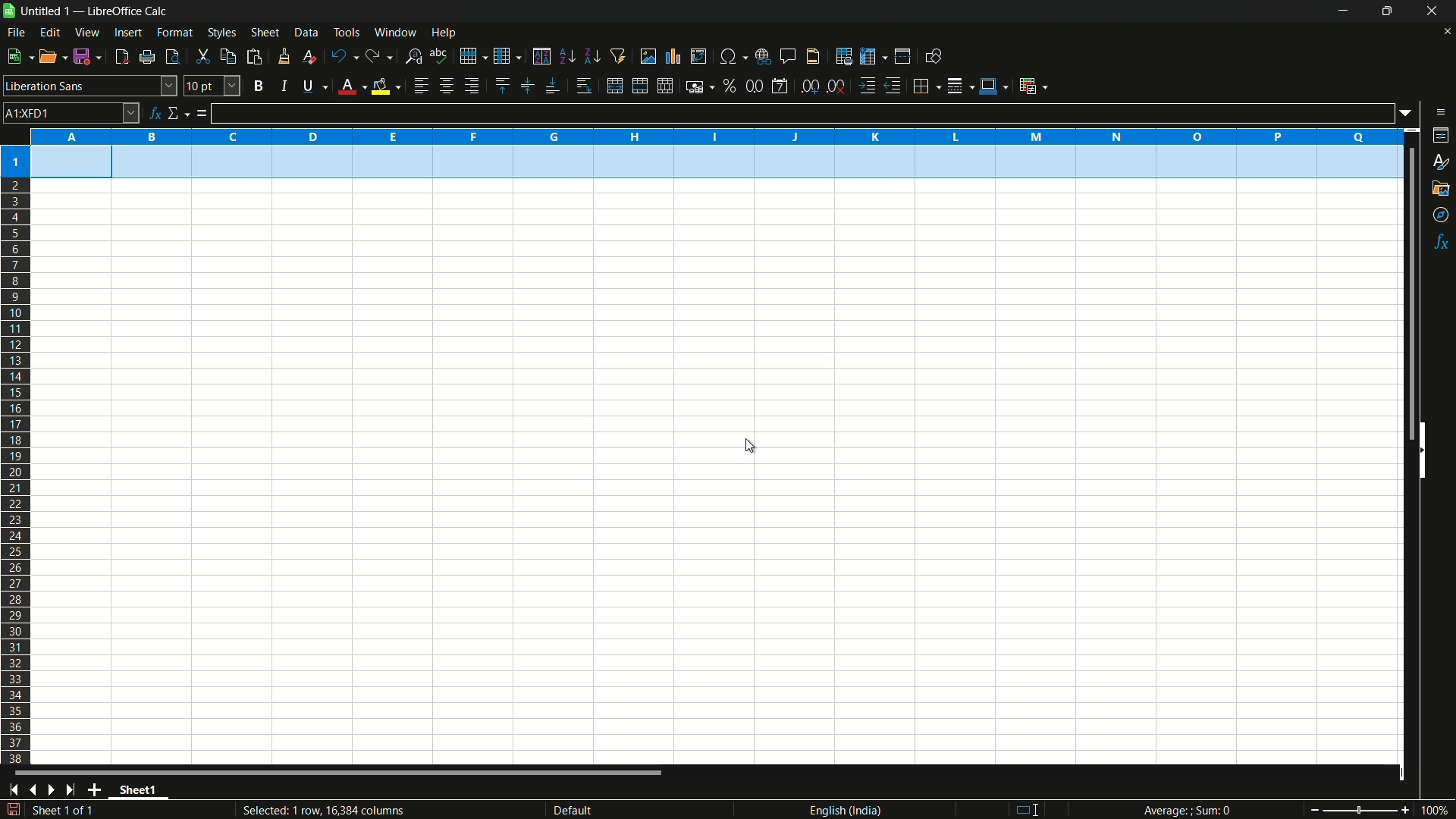 The image size is (1456, 819). What do you see at coordinates (648, 55) in the screenshot?
I see `insert image` at bounding box center [648, 55].